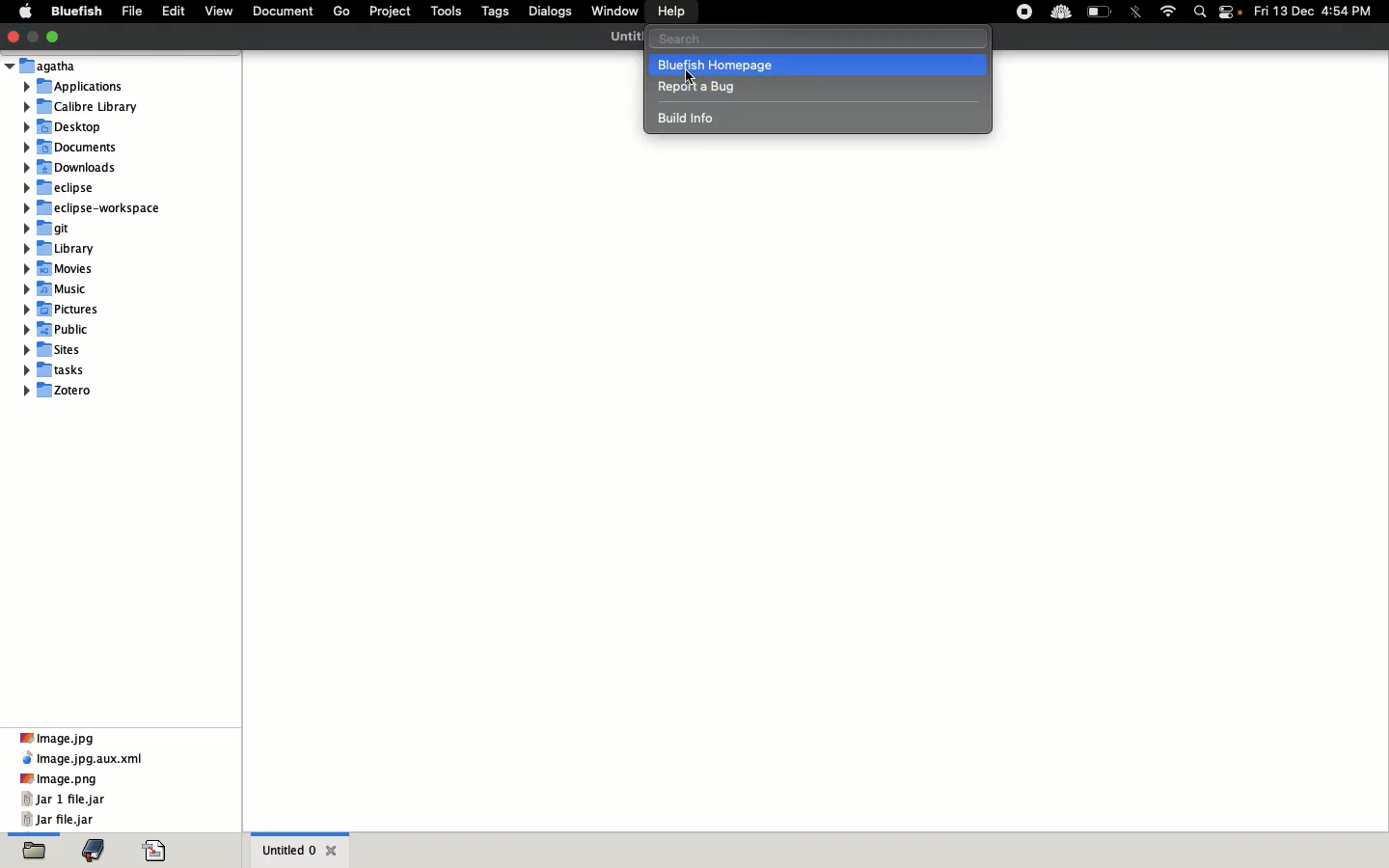  I want to click on Image, so click(55, 737).